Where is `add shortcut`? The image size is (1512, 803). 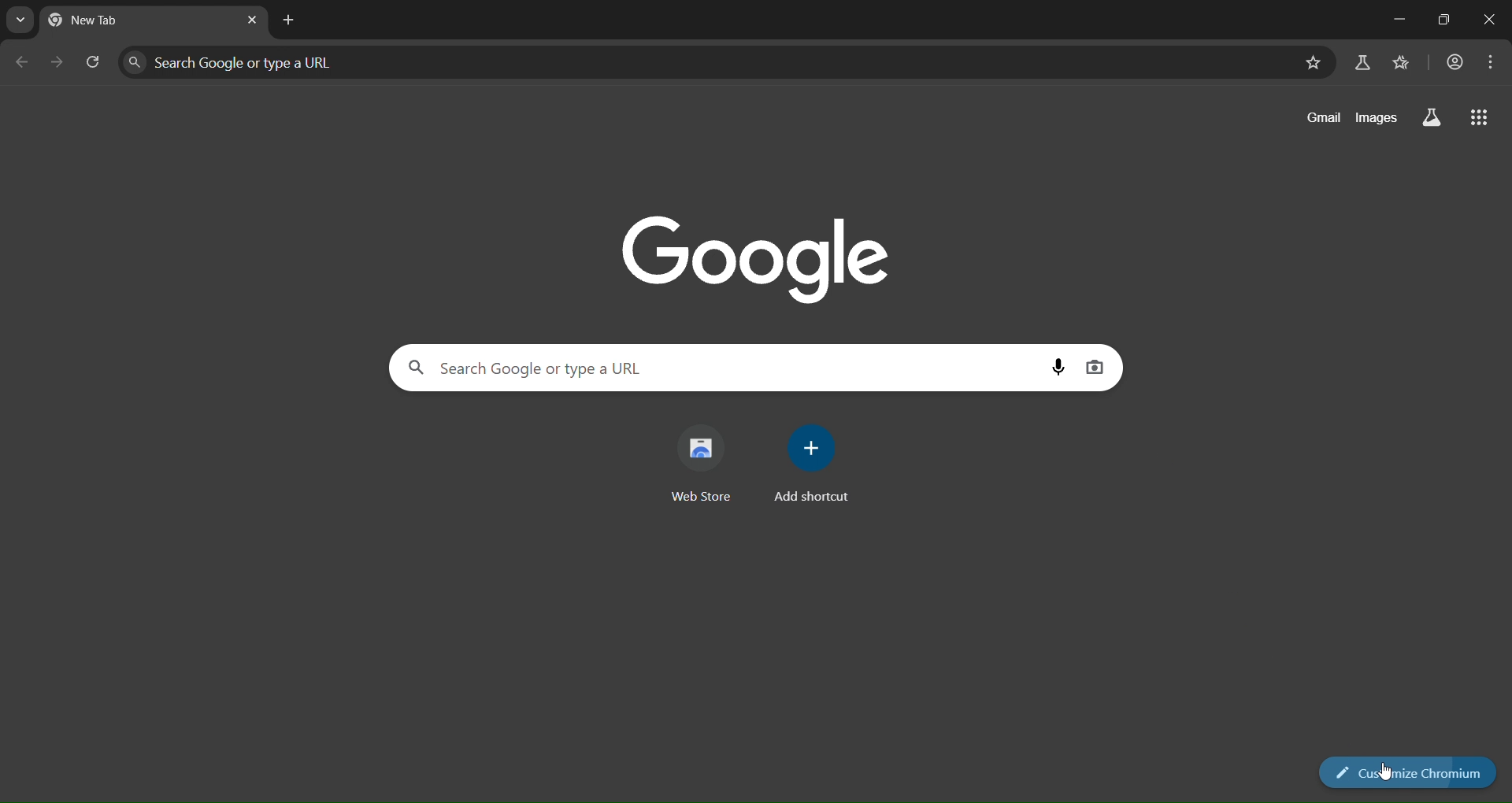
add shortcut is located at coordinates (816, 458).